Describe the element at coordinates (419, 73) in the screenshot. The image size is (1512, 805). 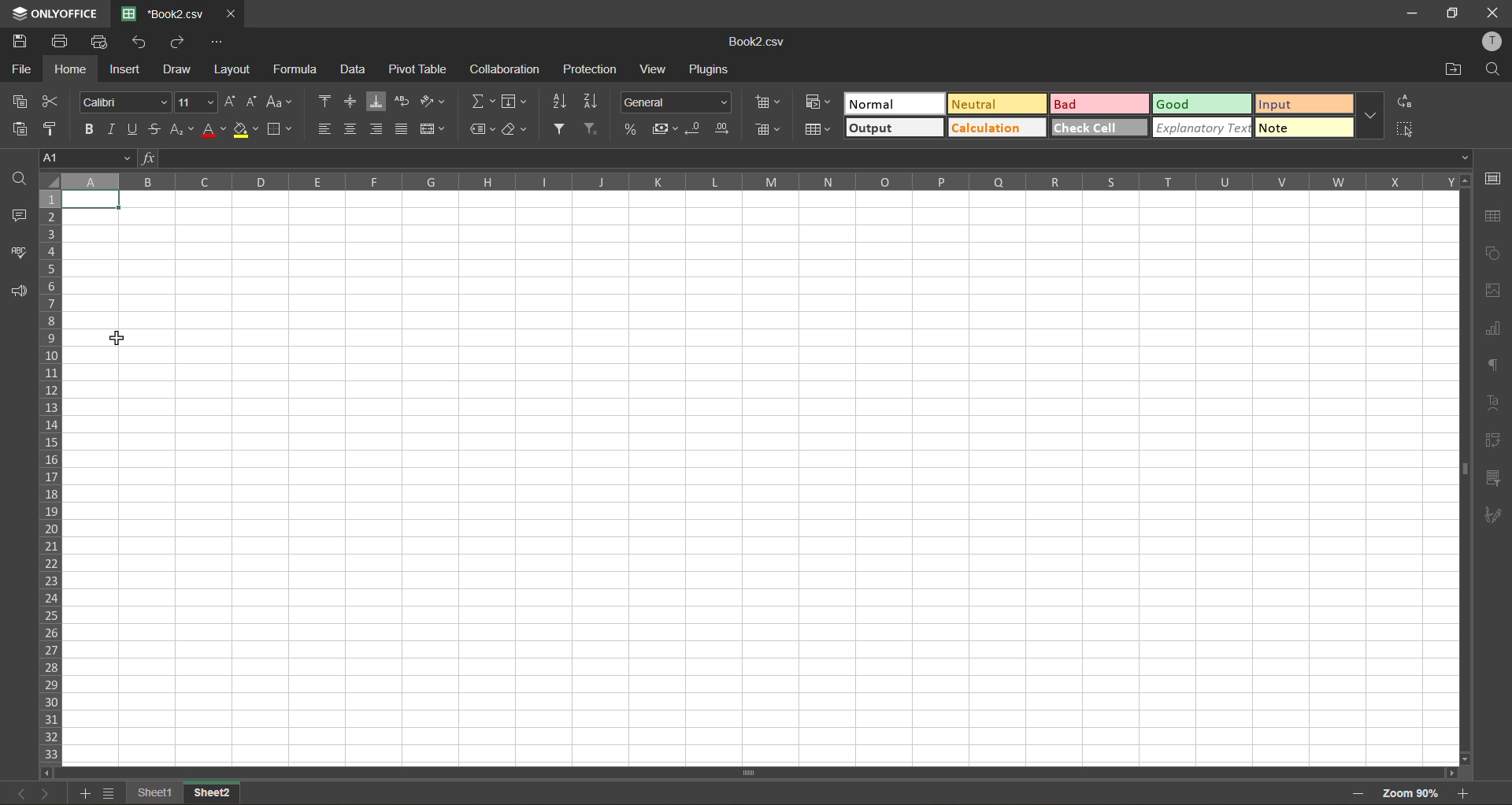
I see `pivot table` at that location.